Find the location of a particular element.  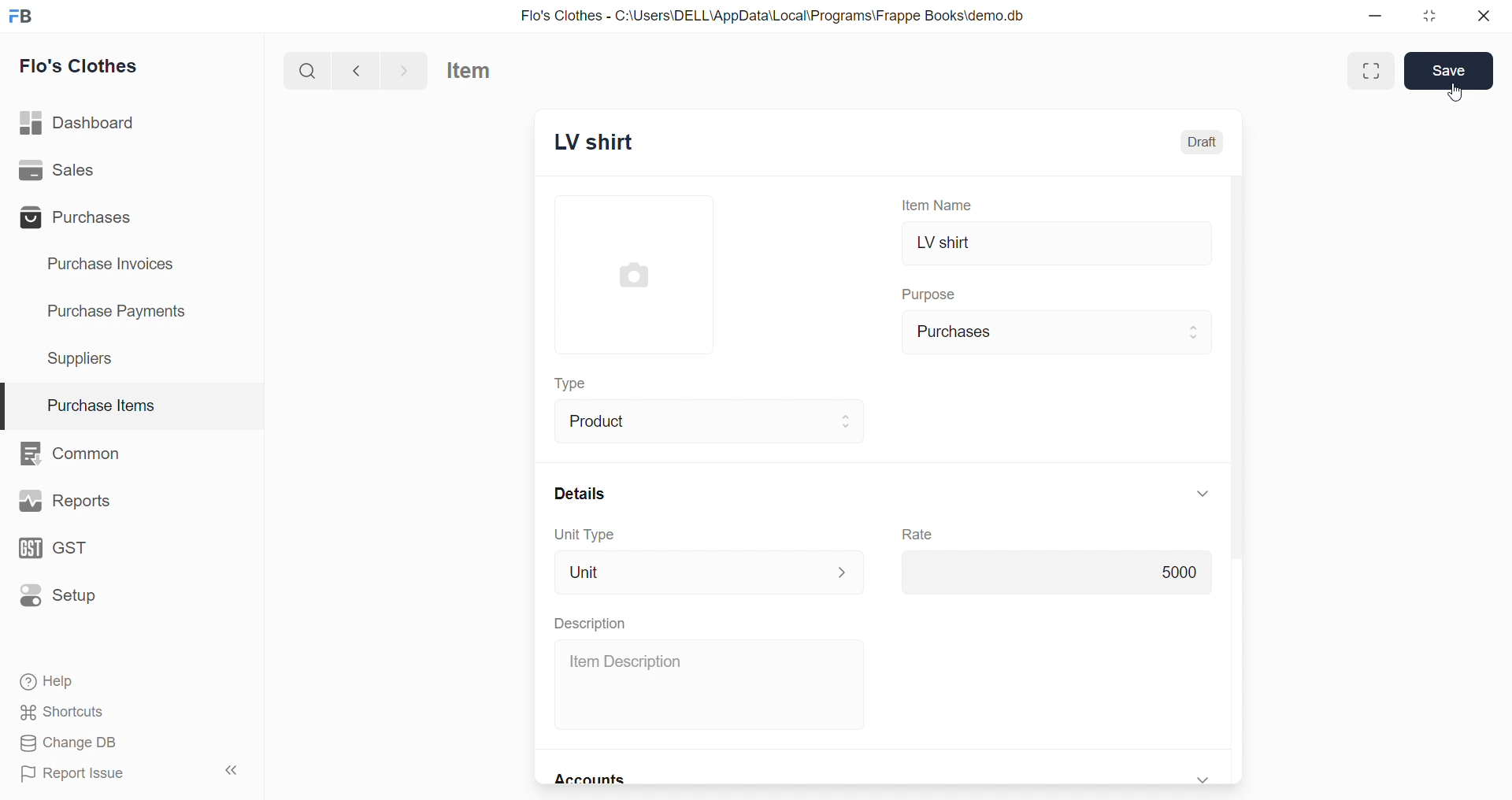

Save is located at coordinates (1449, 71).